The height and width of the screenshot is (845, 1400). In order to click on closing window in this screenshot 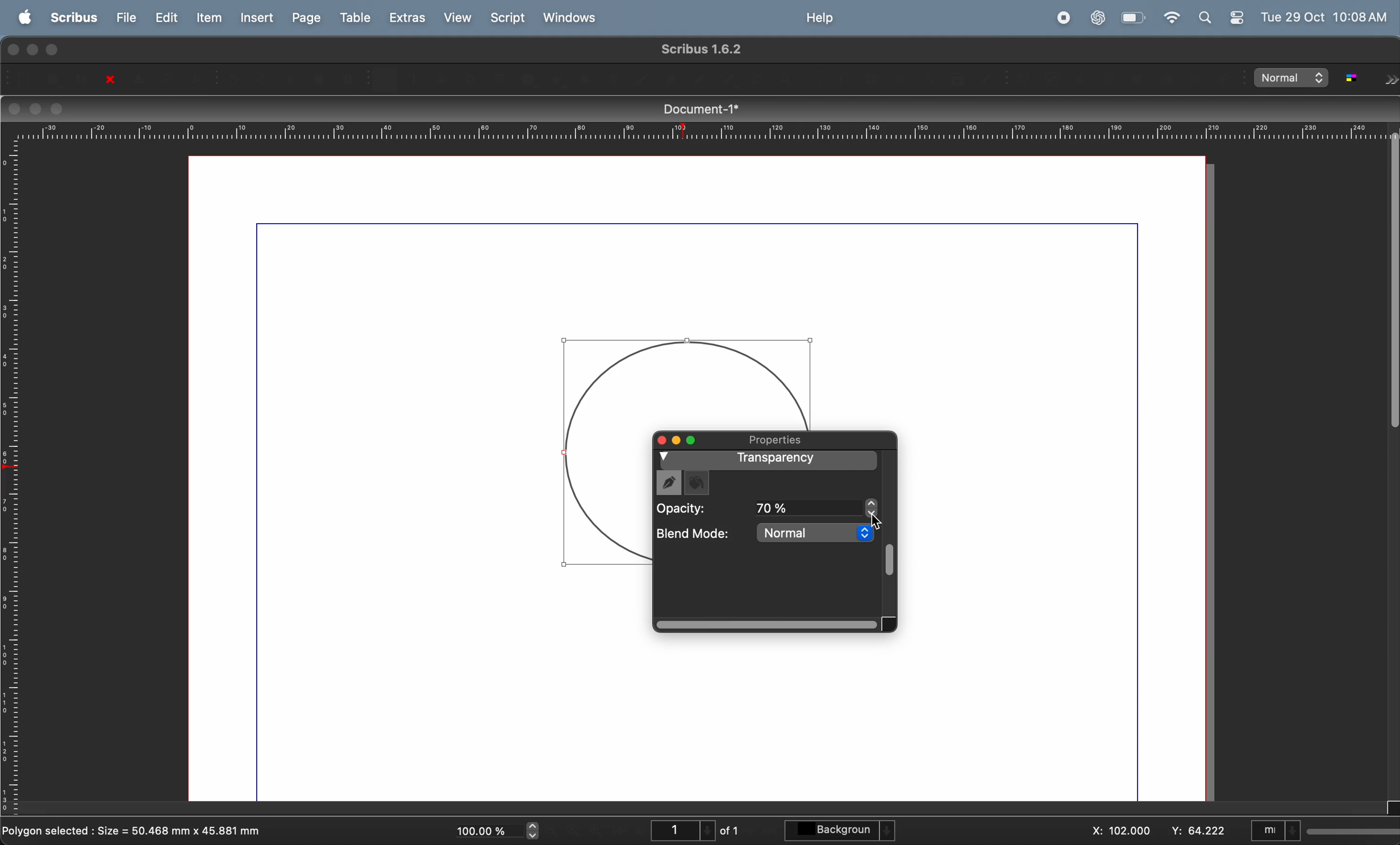, I will do `click(14, 108)`.